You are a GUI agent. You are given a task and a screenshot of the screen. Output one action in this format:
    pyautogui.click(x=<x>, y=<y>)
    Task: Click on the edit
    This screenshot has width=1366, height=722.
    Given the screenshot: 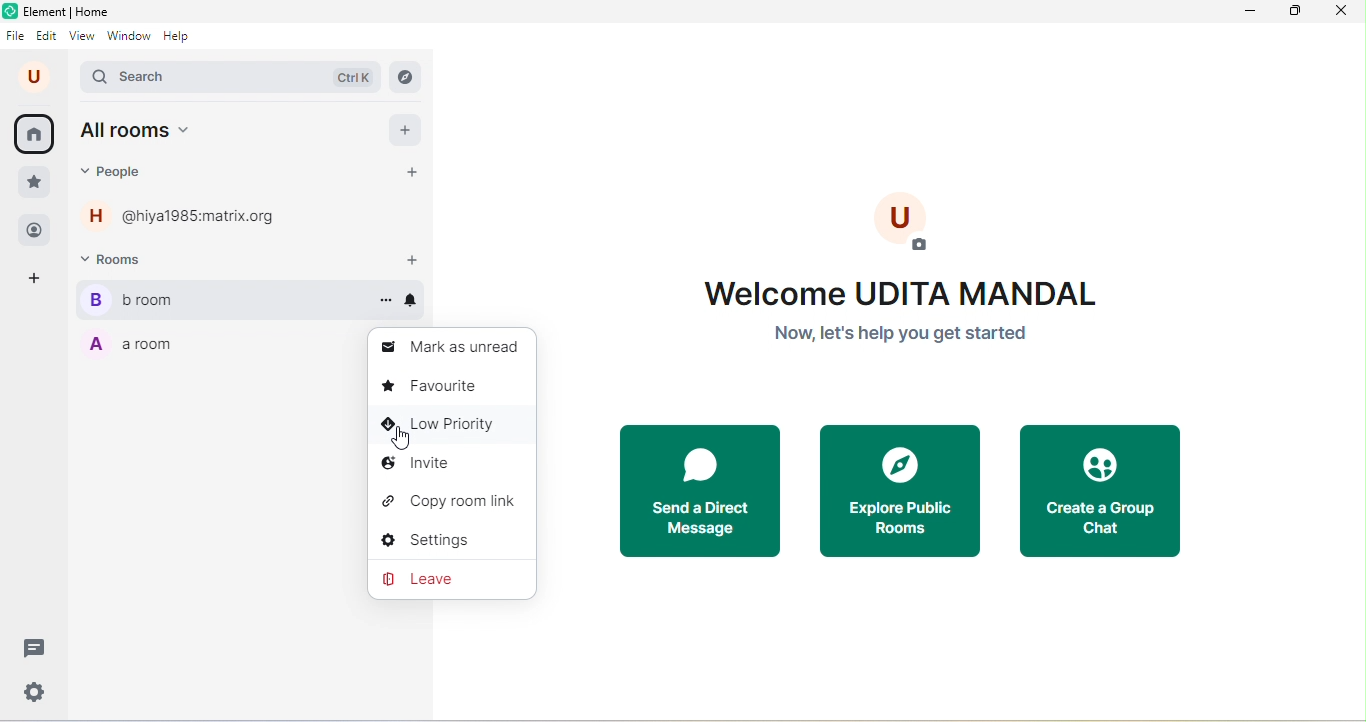 What is the action you would take?
    pyautogui.click(x=46, y=37)
    